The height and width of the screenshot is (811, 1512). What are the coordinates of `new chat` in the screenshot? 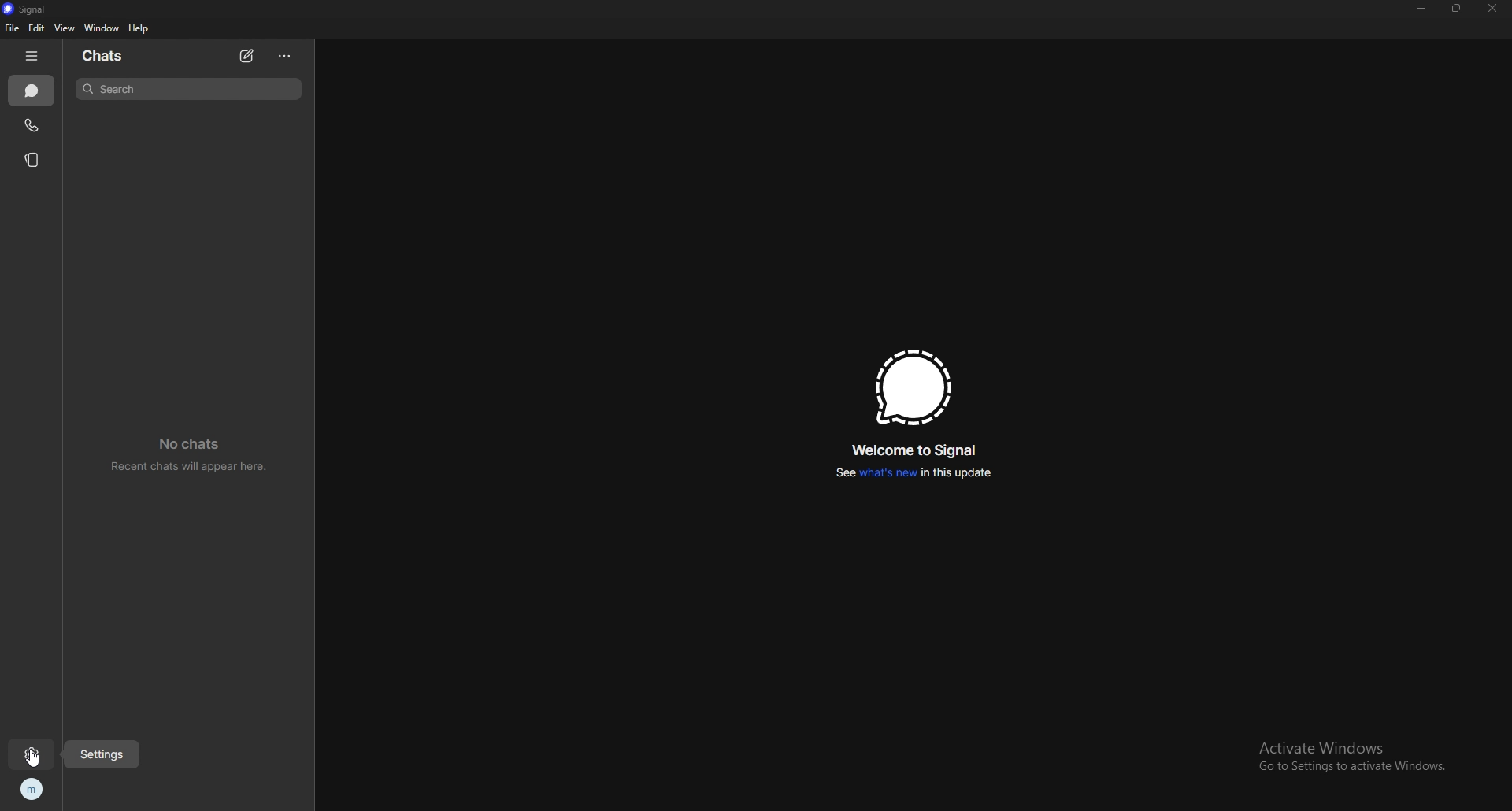 It's located at (249, 56).